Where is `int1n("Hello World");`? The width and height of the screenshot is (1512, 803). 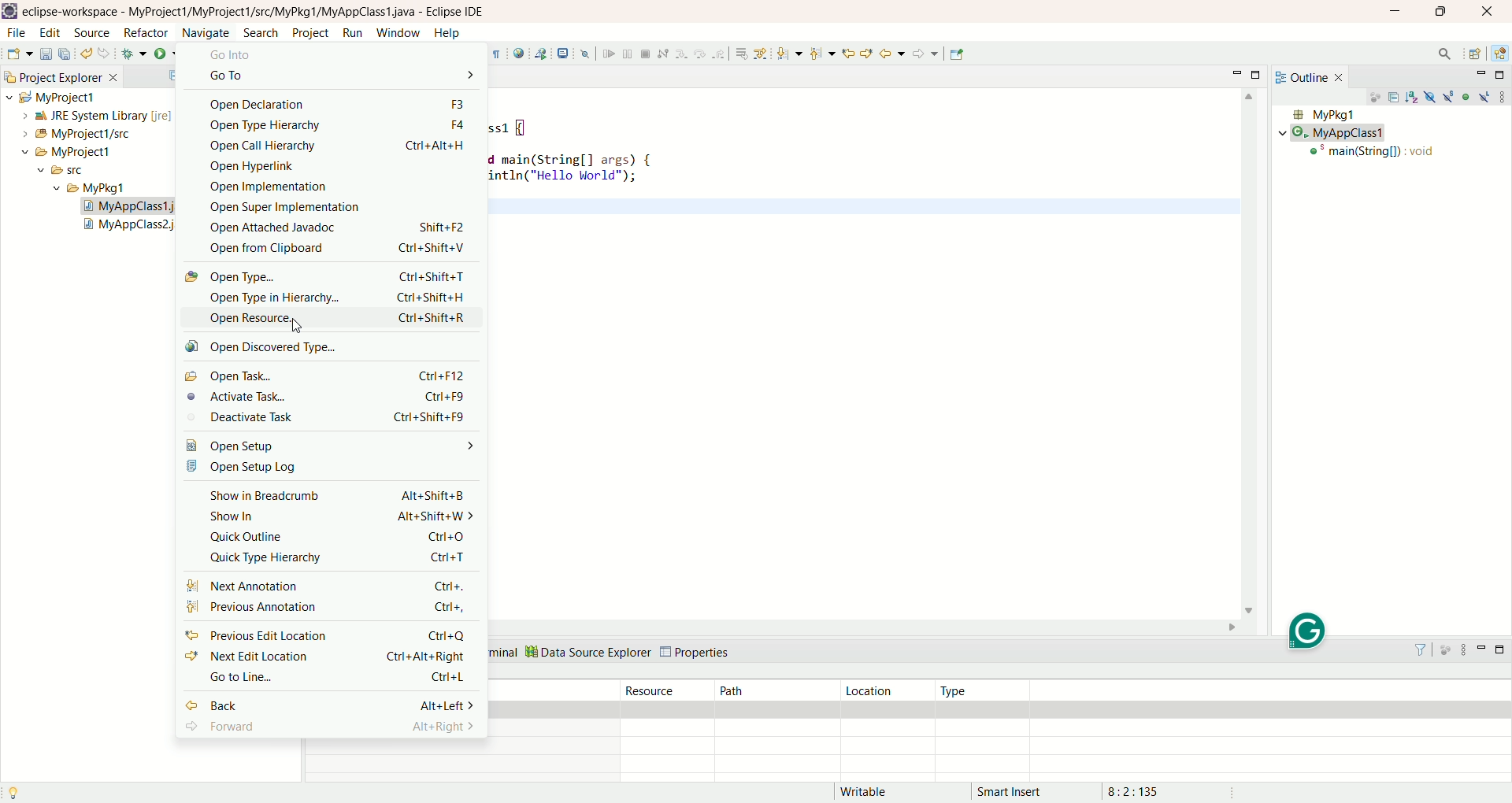
int1n("Hello World"); is located at coordinates (565, 176).